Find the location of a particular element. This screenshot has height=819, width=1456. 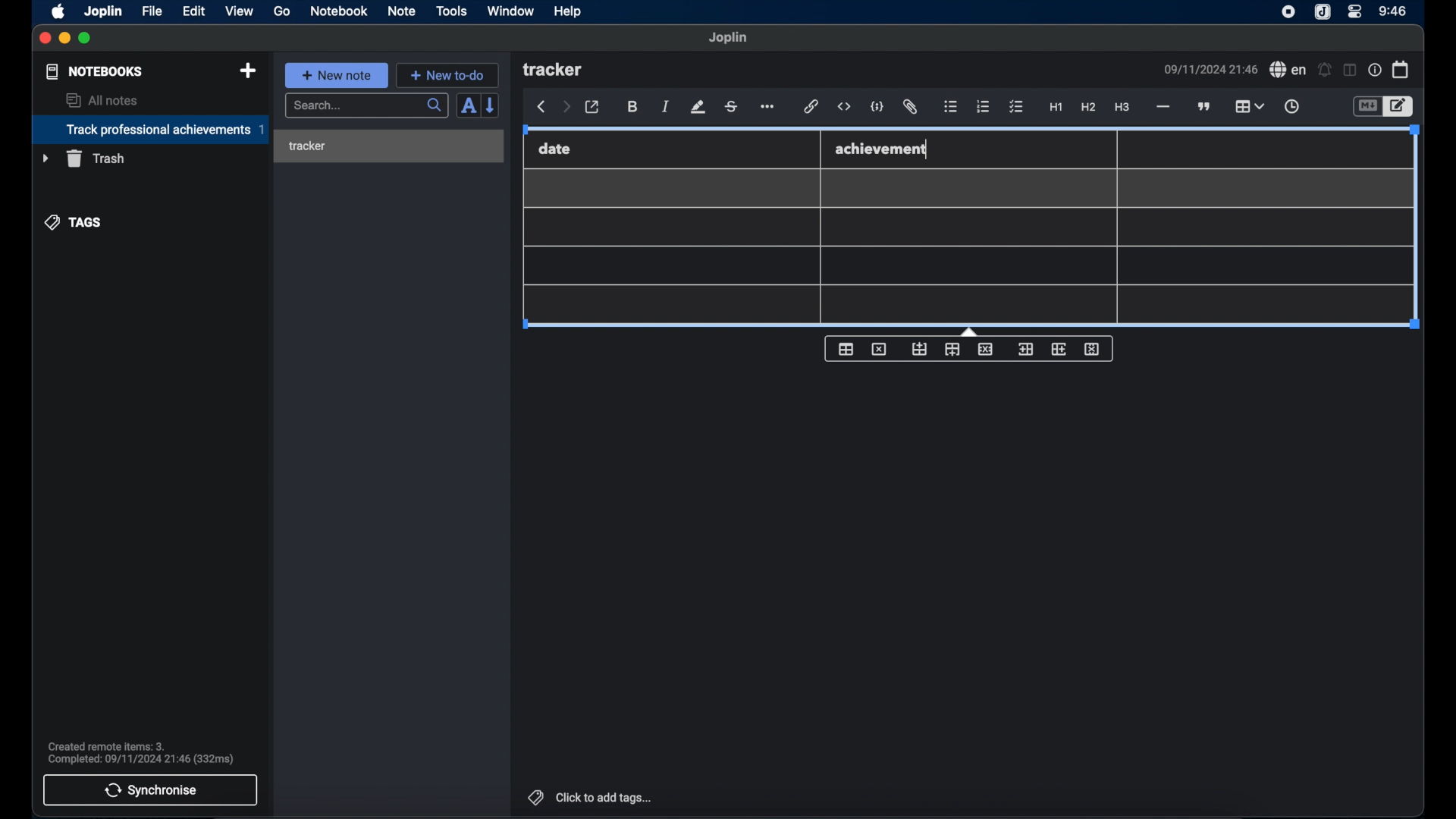

highlight is located at coordinates (698, 107).